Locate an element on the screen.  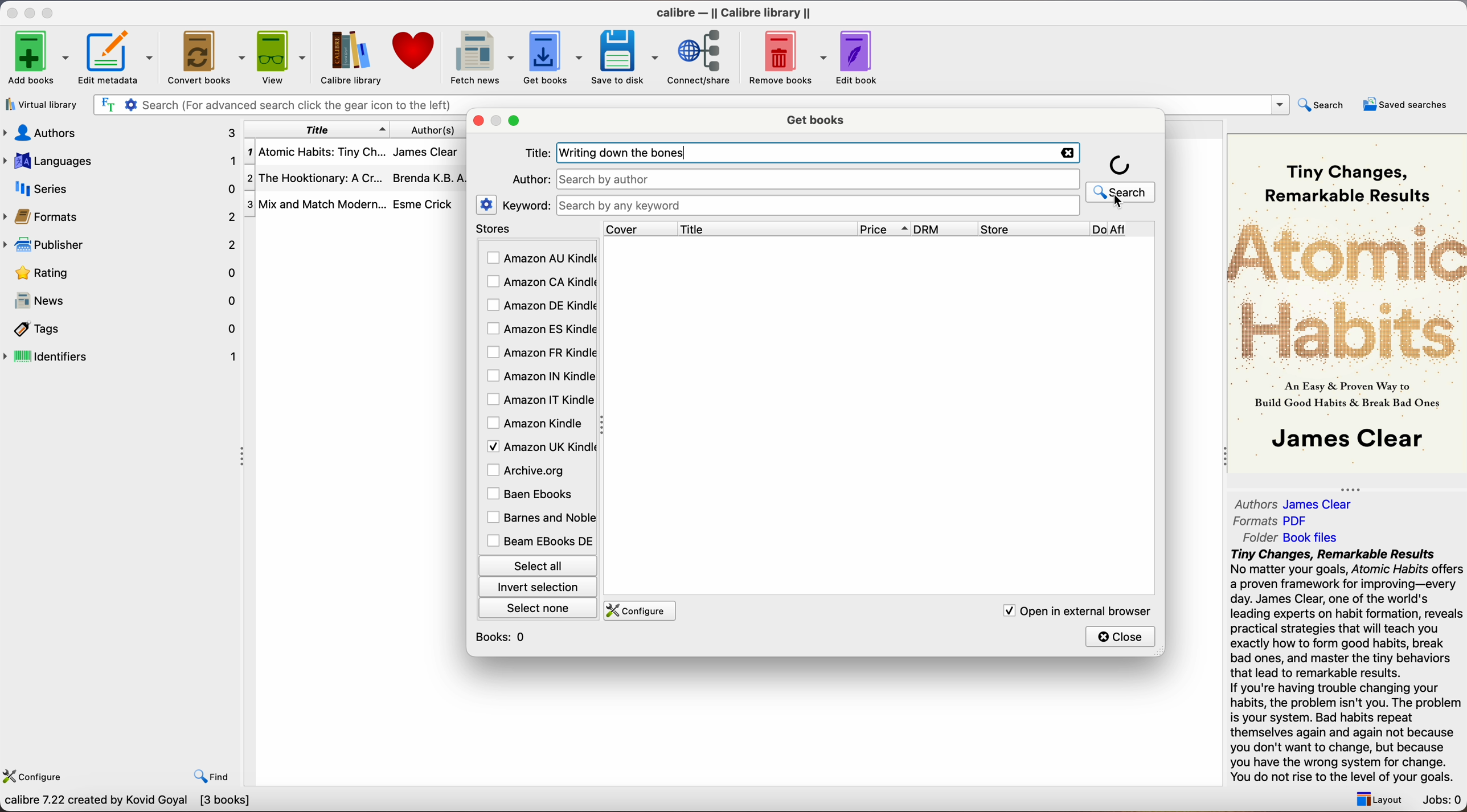
add books is located at coordinates (38, 59).